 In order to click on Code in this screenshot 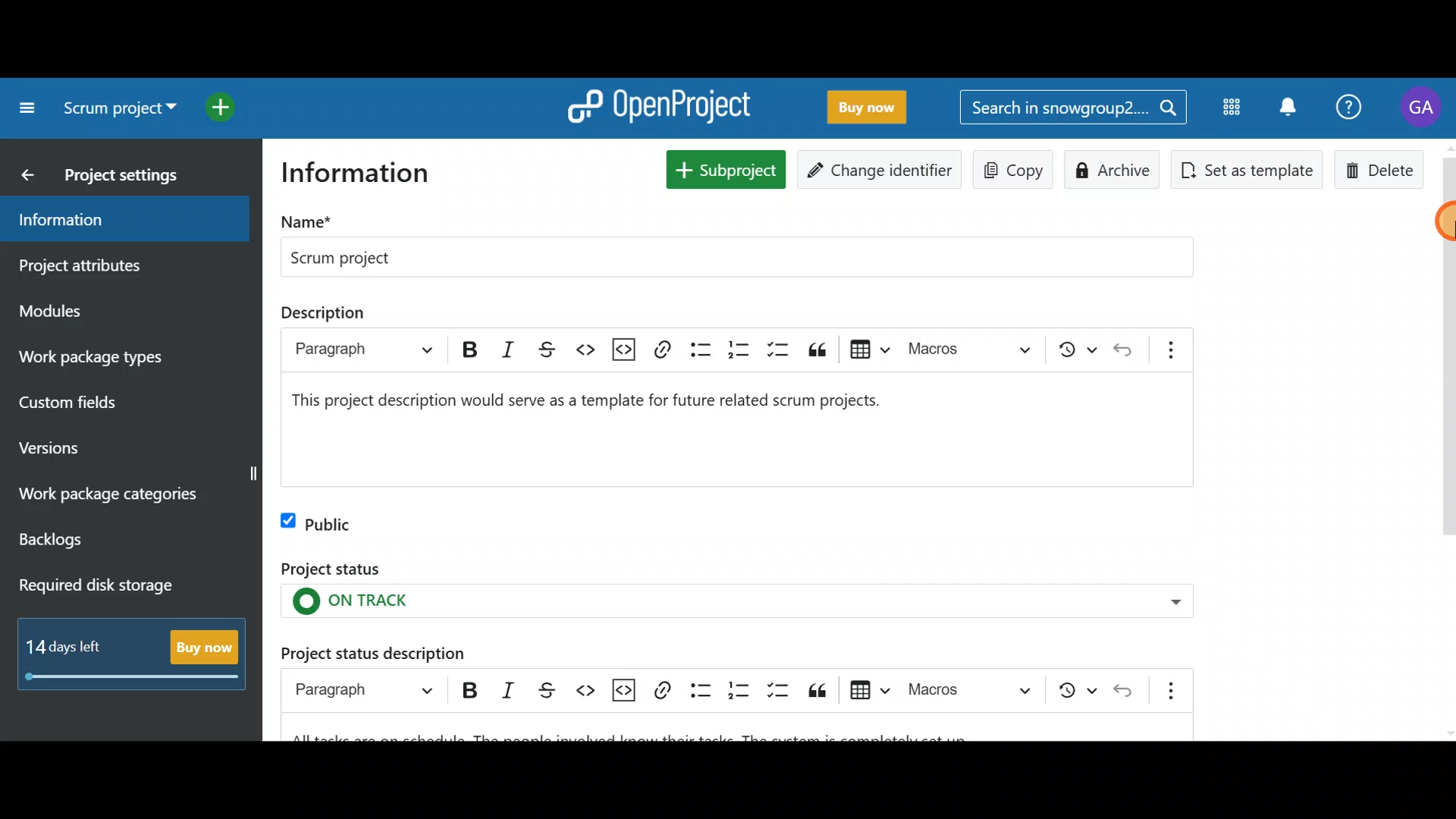, I will do `click(587, 689)`.